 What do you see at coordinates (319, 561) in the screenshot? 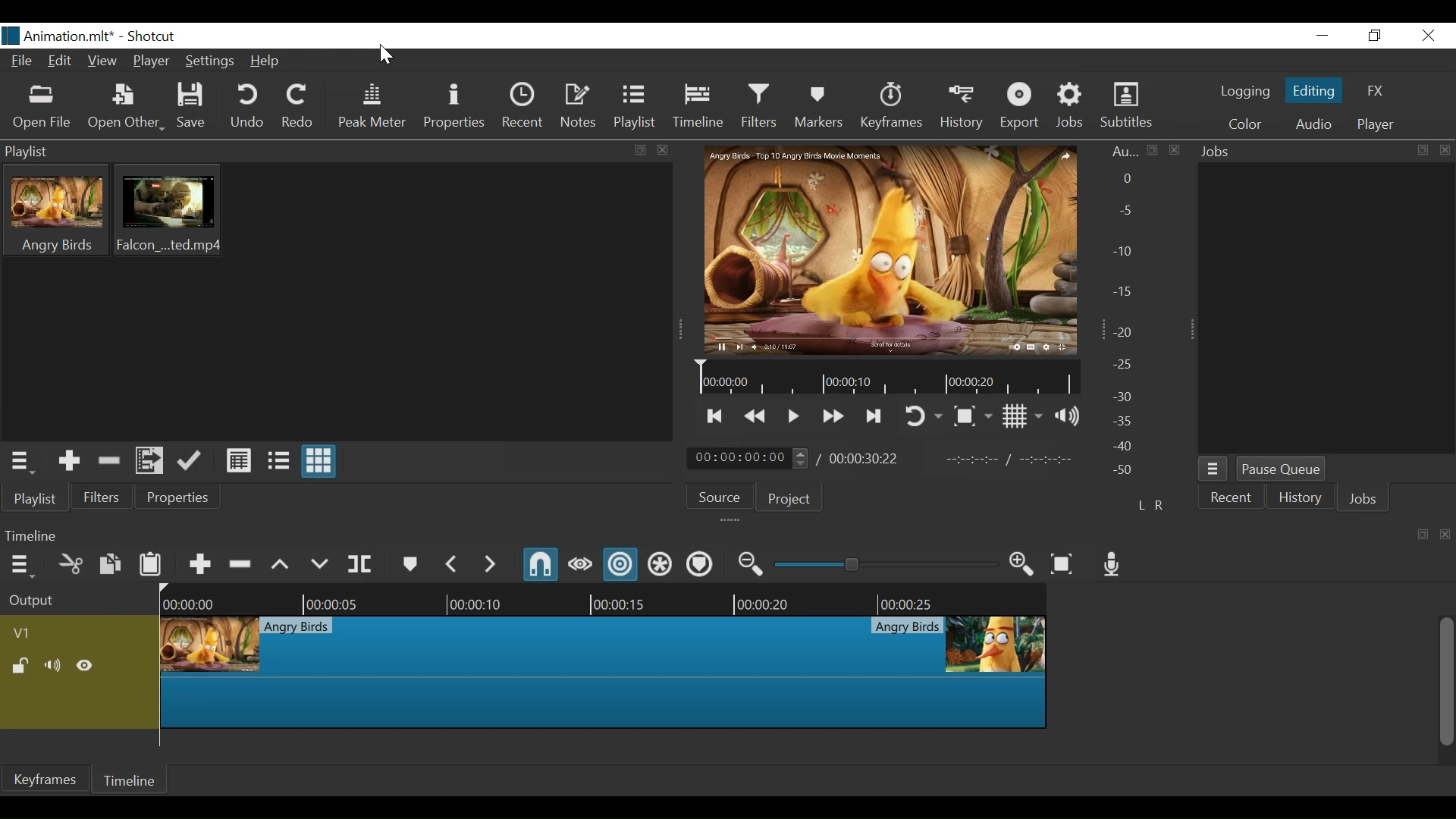
I see `Overwrite` at bounding box center [319, 561].